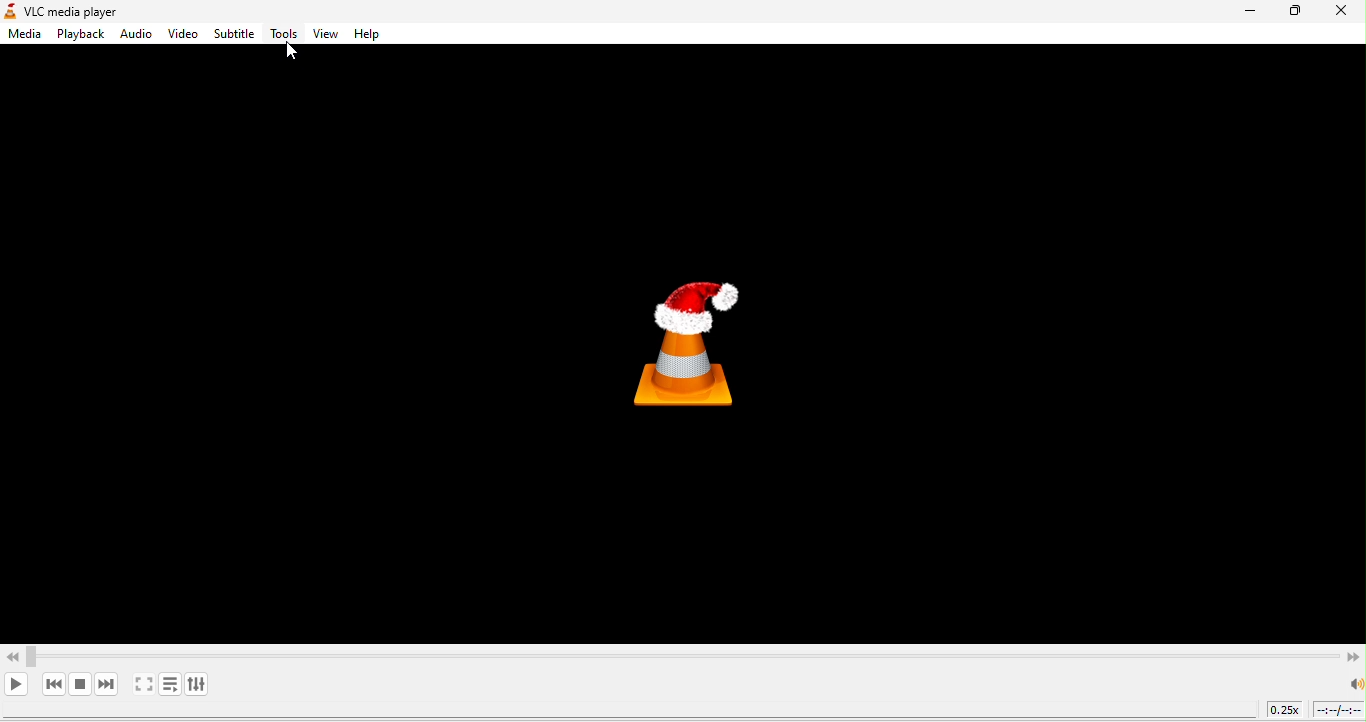  Describe the element at coordinates (689, 345) in the screenshot. I see `vlc media player logo` at that location.